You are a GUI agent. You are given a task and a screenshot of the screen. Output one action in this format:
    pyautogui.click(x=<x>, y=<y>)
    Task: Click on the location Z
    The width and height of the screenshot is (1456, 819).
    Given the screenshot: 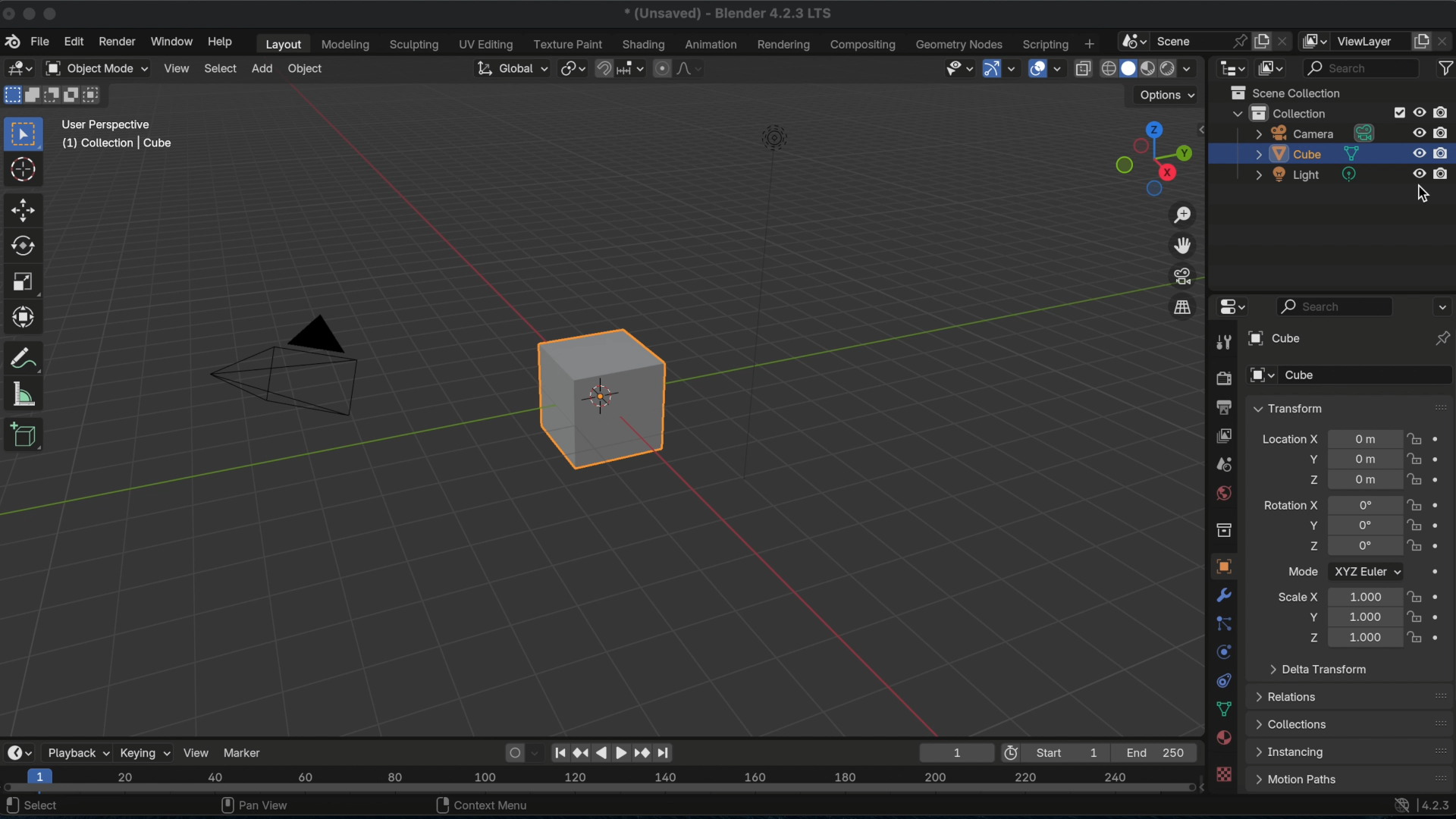 What is the action you would take?
    pyautogui.click(x=1307, y=480)
    